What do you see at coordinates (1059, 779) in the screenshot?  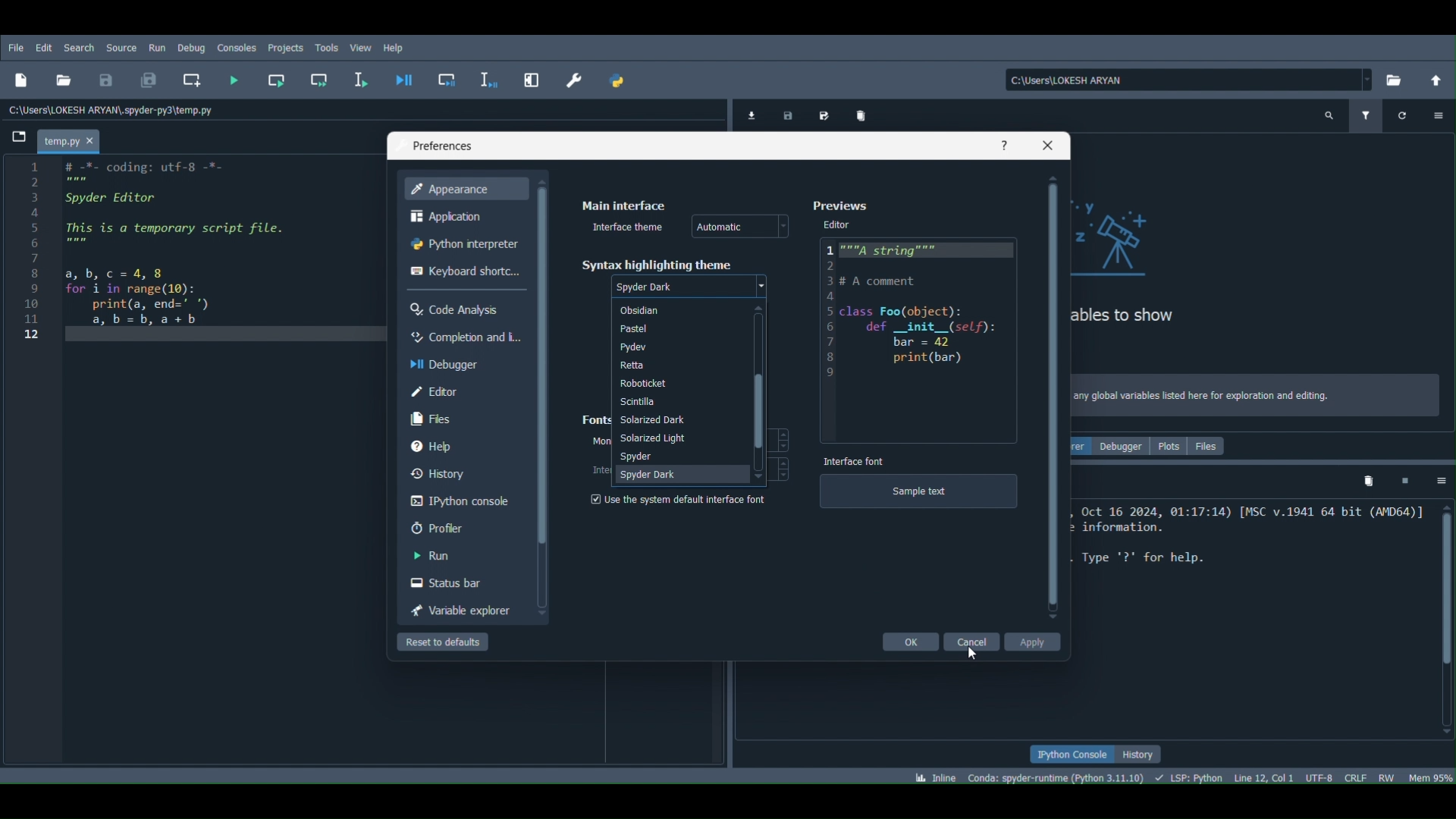 I see `Version` at bounding box center [1059, 779].